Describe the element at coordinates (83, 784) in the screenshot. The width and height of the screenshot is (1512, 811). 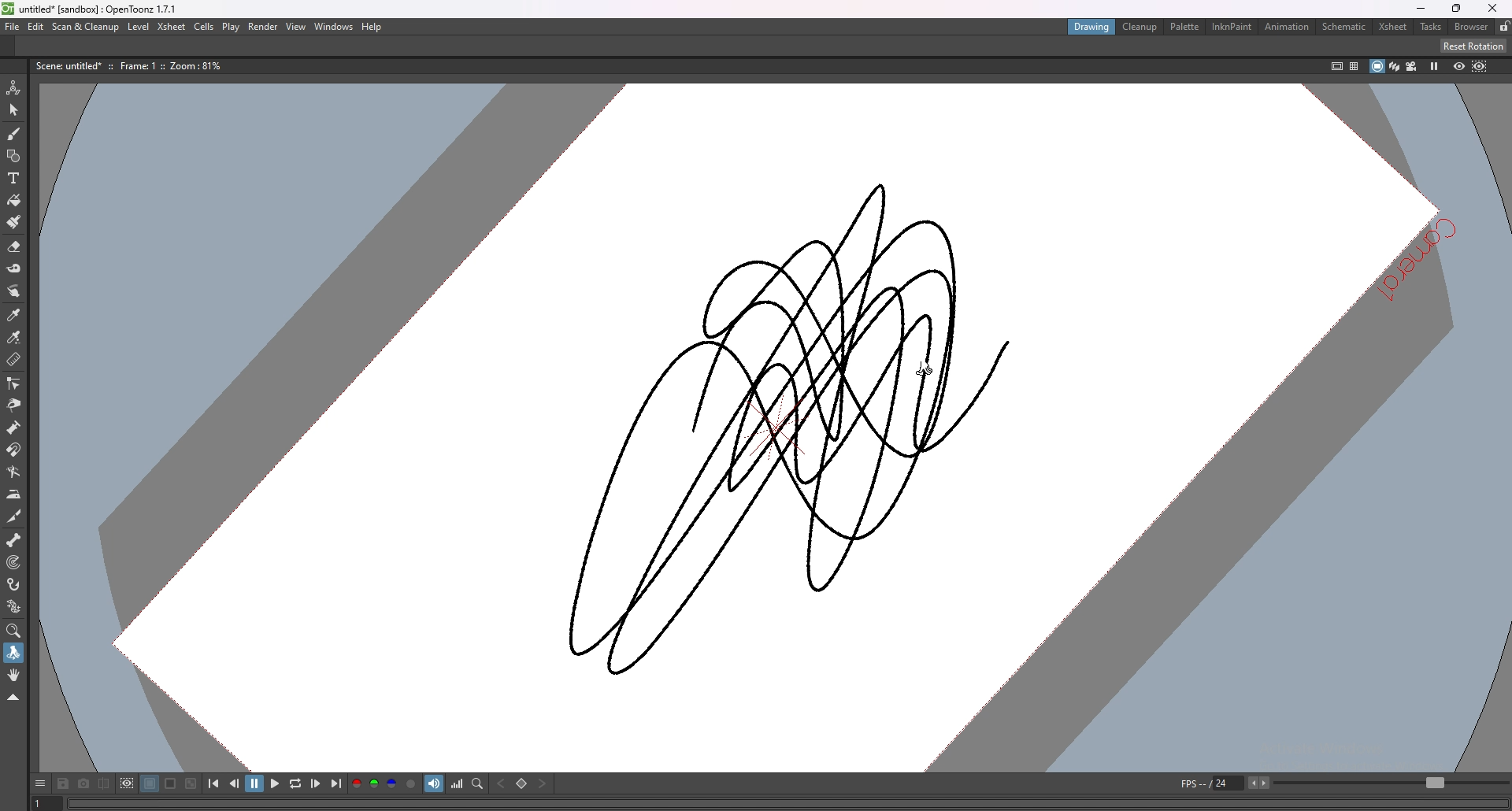
I see `snapshot` at that location.